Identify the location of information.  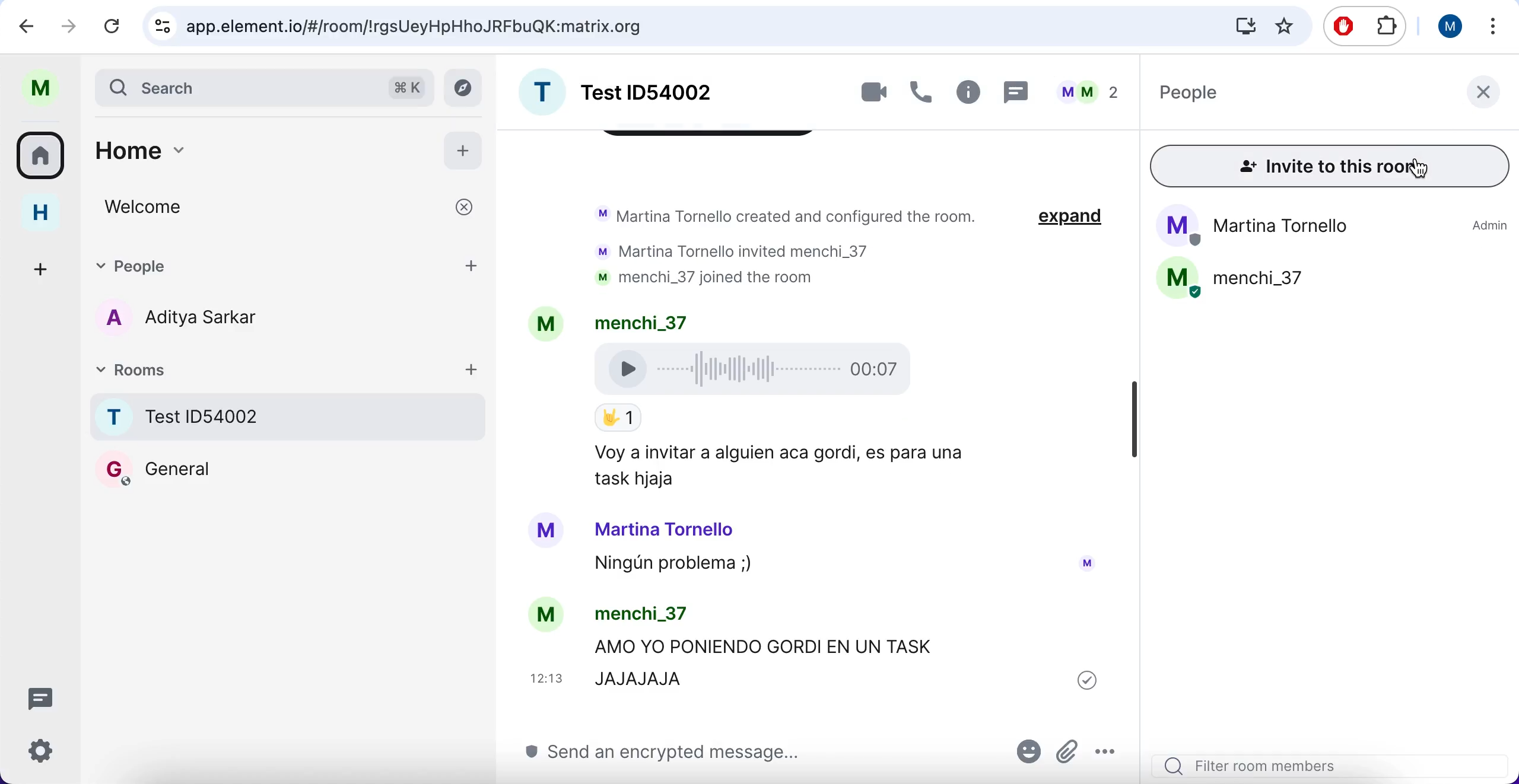
(970, 95).